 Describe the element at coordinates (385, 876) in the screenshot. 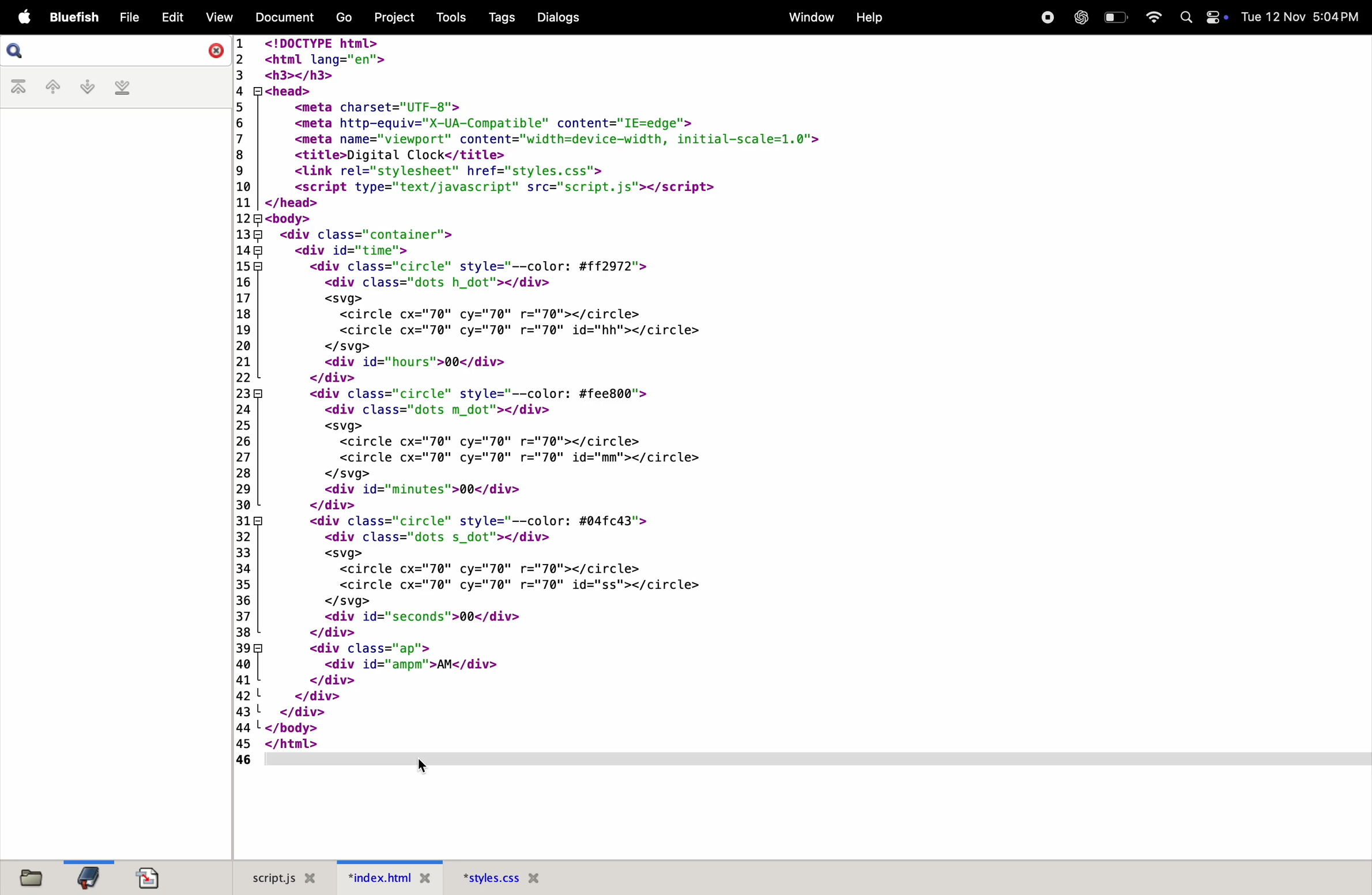

I see `index.html` at that location.